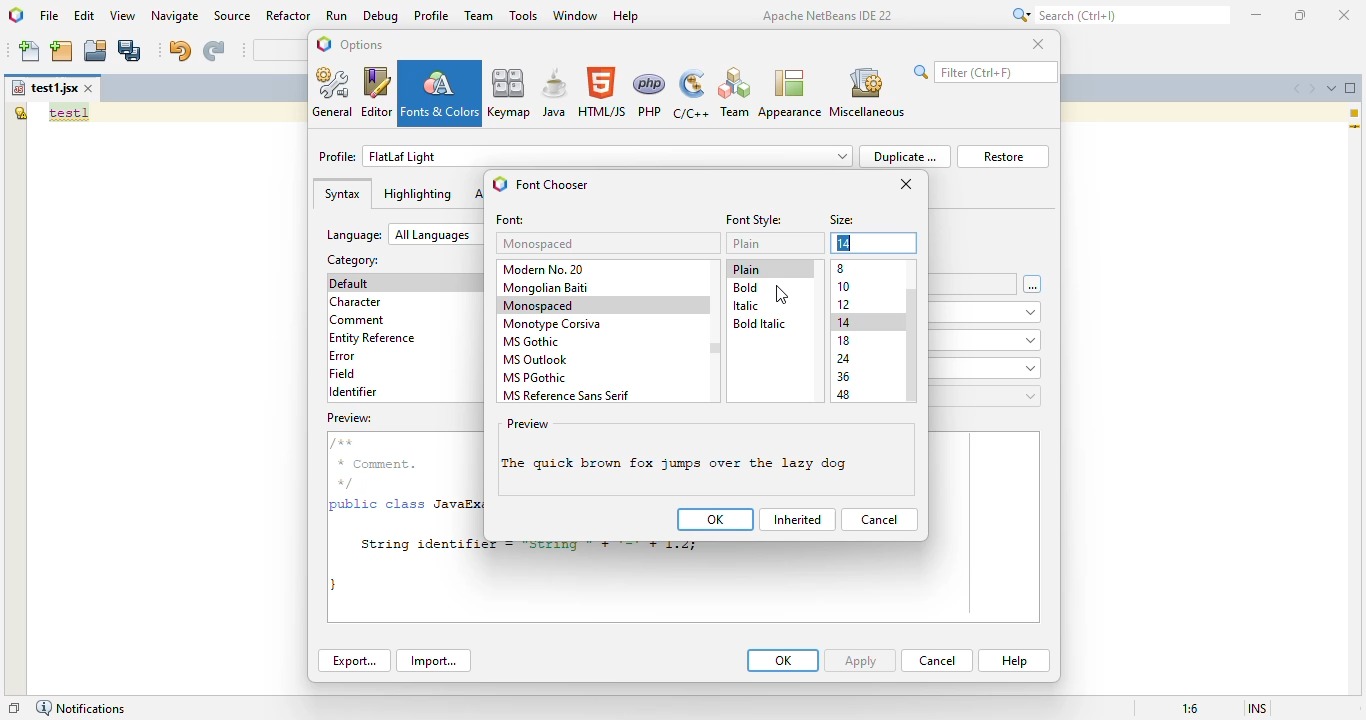  I want to click on search, so click(1117, 15).